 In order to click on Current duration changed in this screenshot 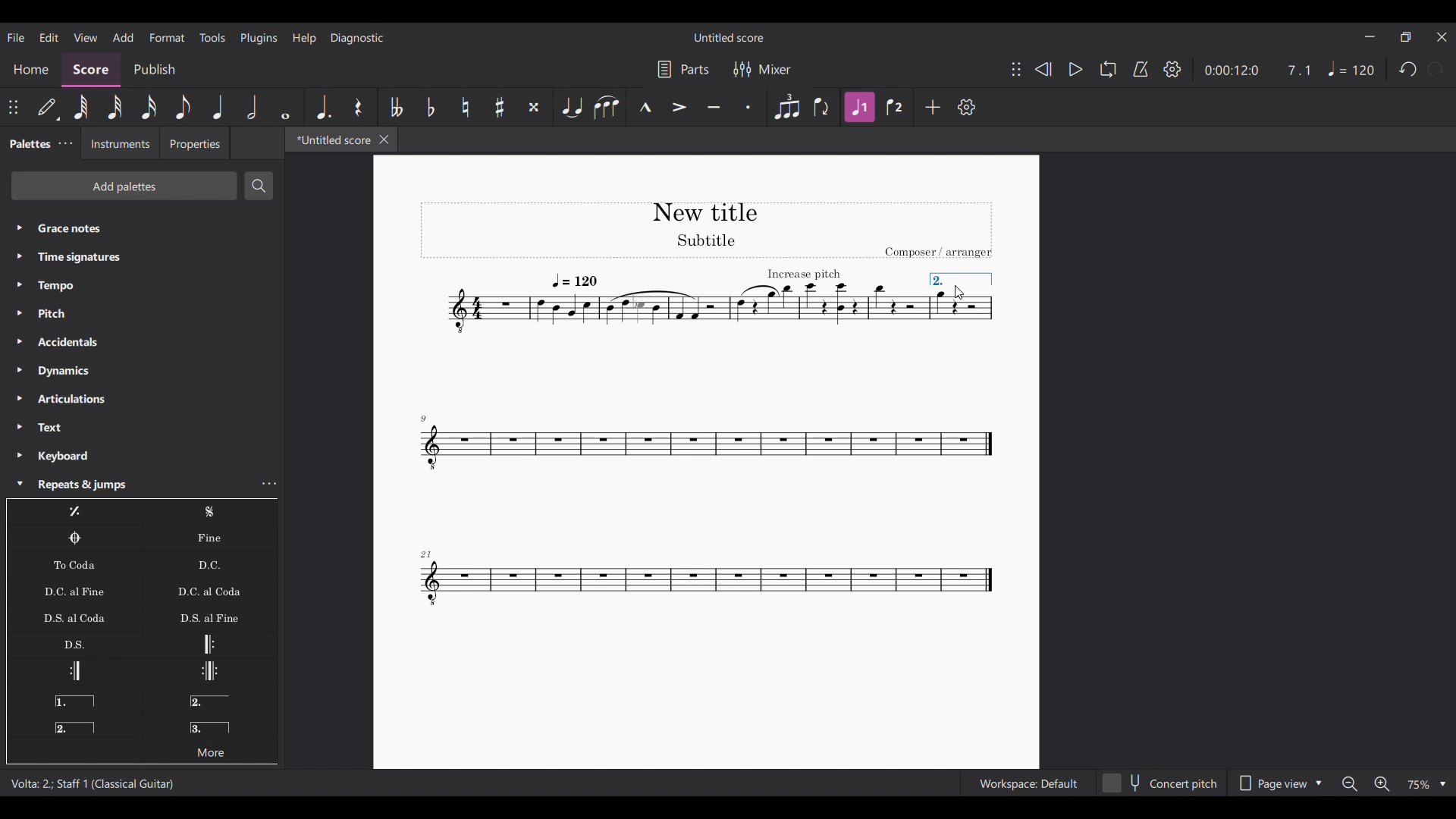, I will do `click(1232, 71)`.